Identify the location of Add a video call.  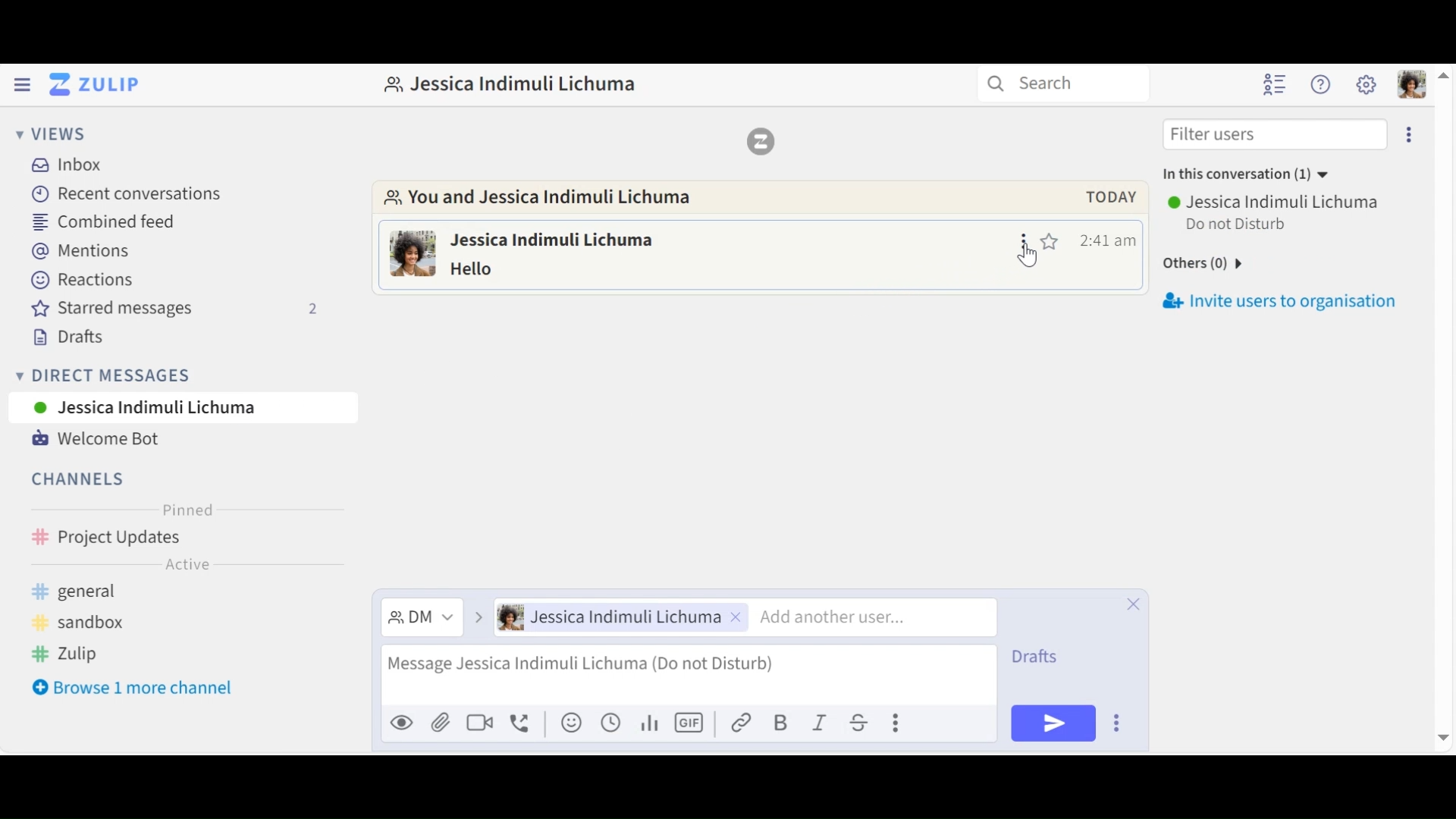
(479, 725).